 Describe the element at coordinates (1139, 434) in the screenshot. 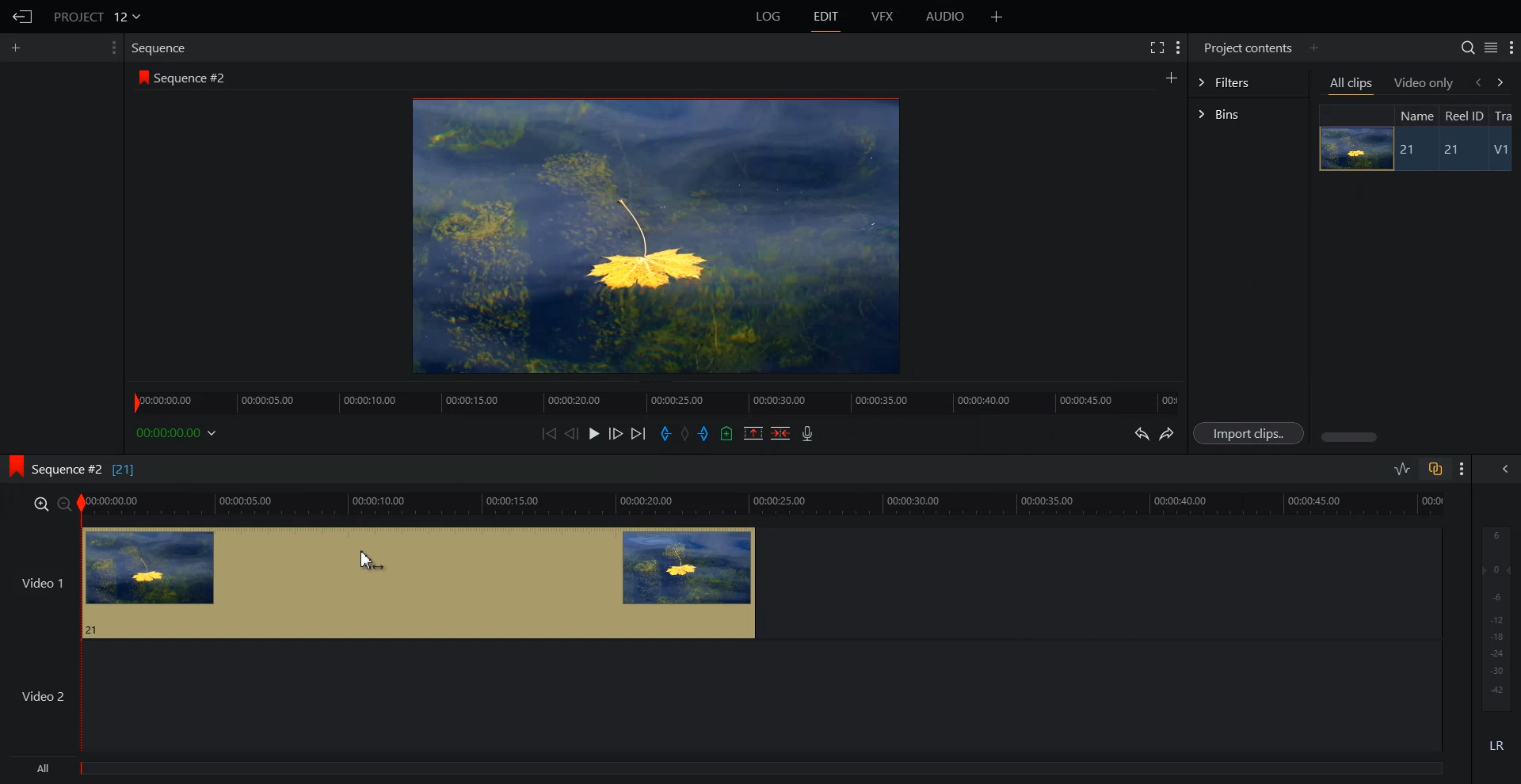

I see `Undo` at that location.